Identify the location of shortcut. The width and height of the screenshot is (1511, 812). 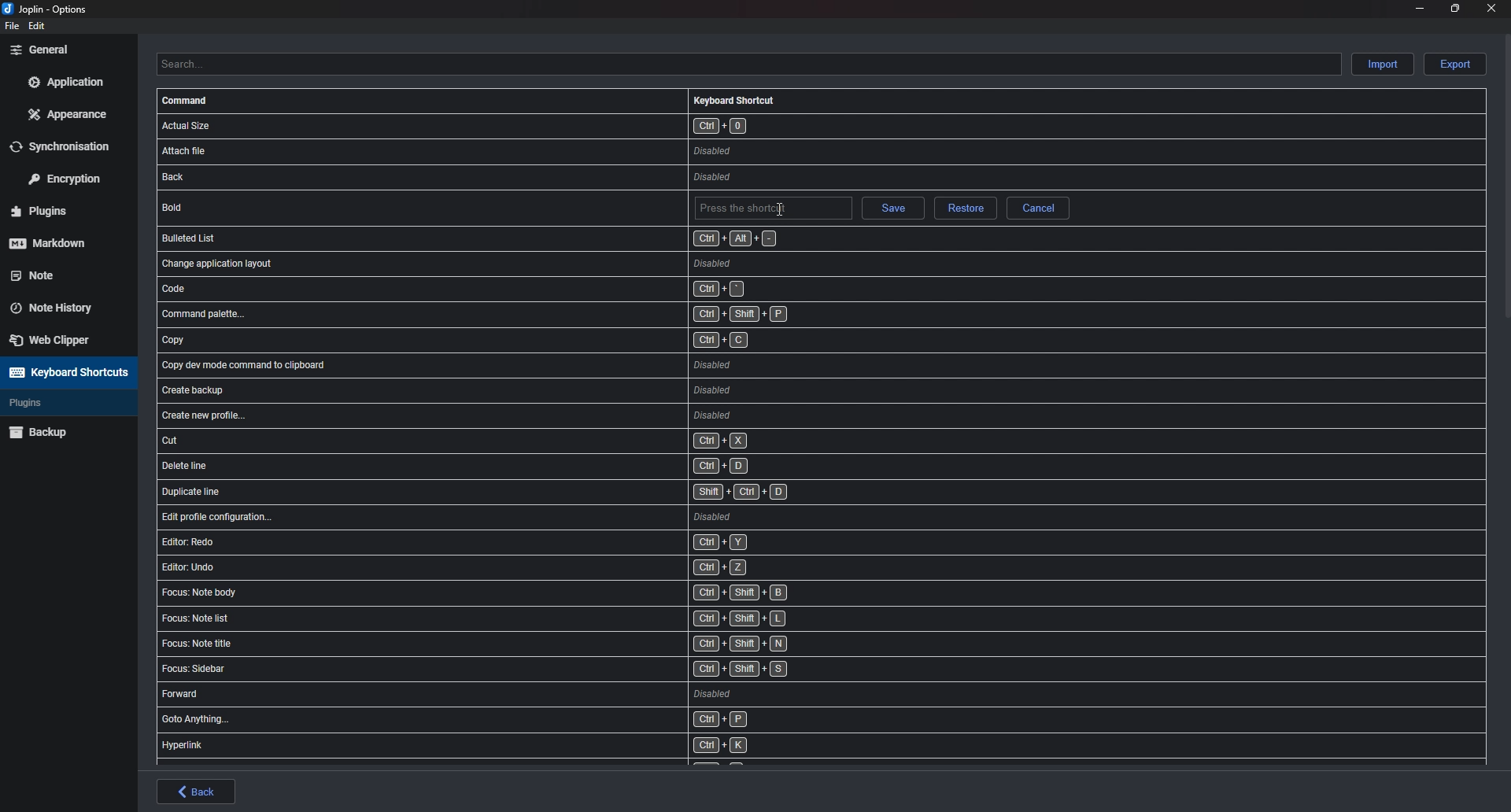
(512, 670).